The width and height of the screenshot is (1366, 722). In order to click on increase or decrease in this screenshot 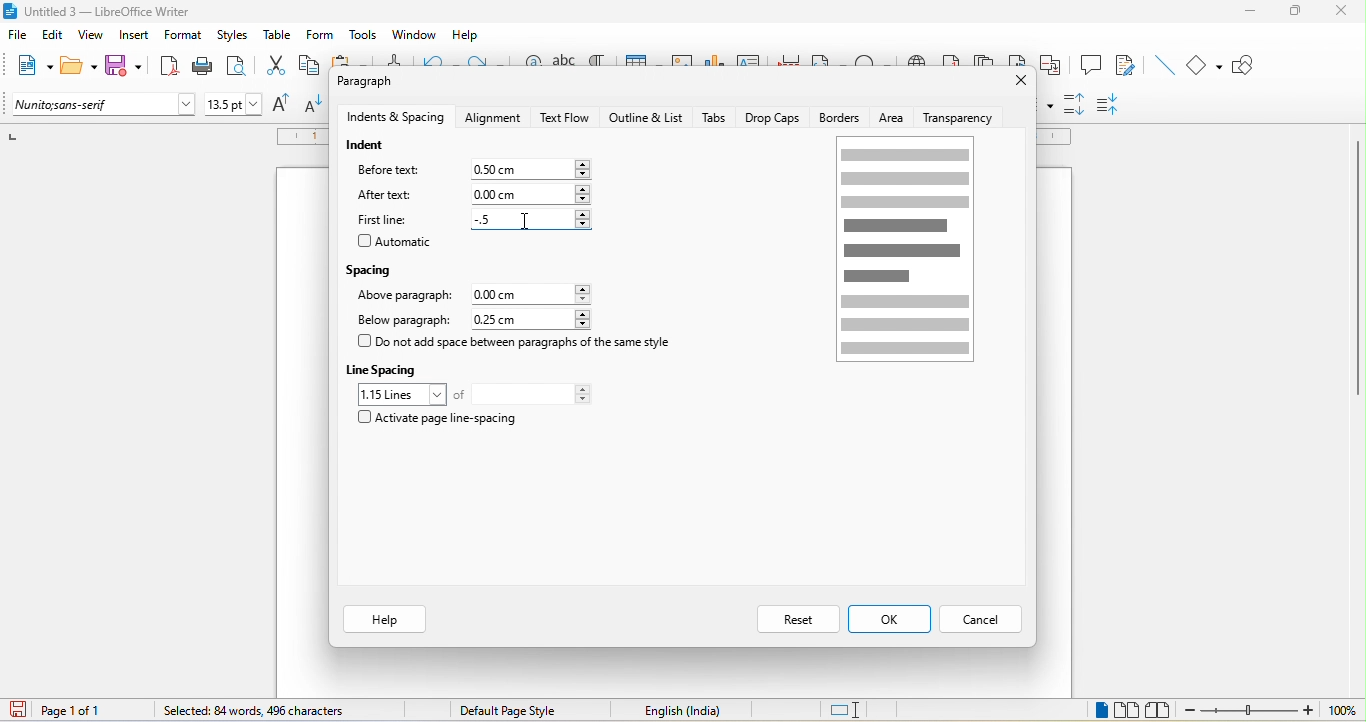, I will do `click(583, 220)`.